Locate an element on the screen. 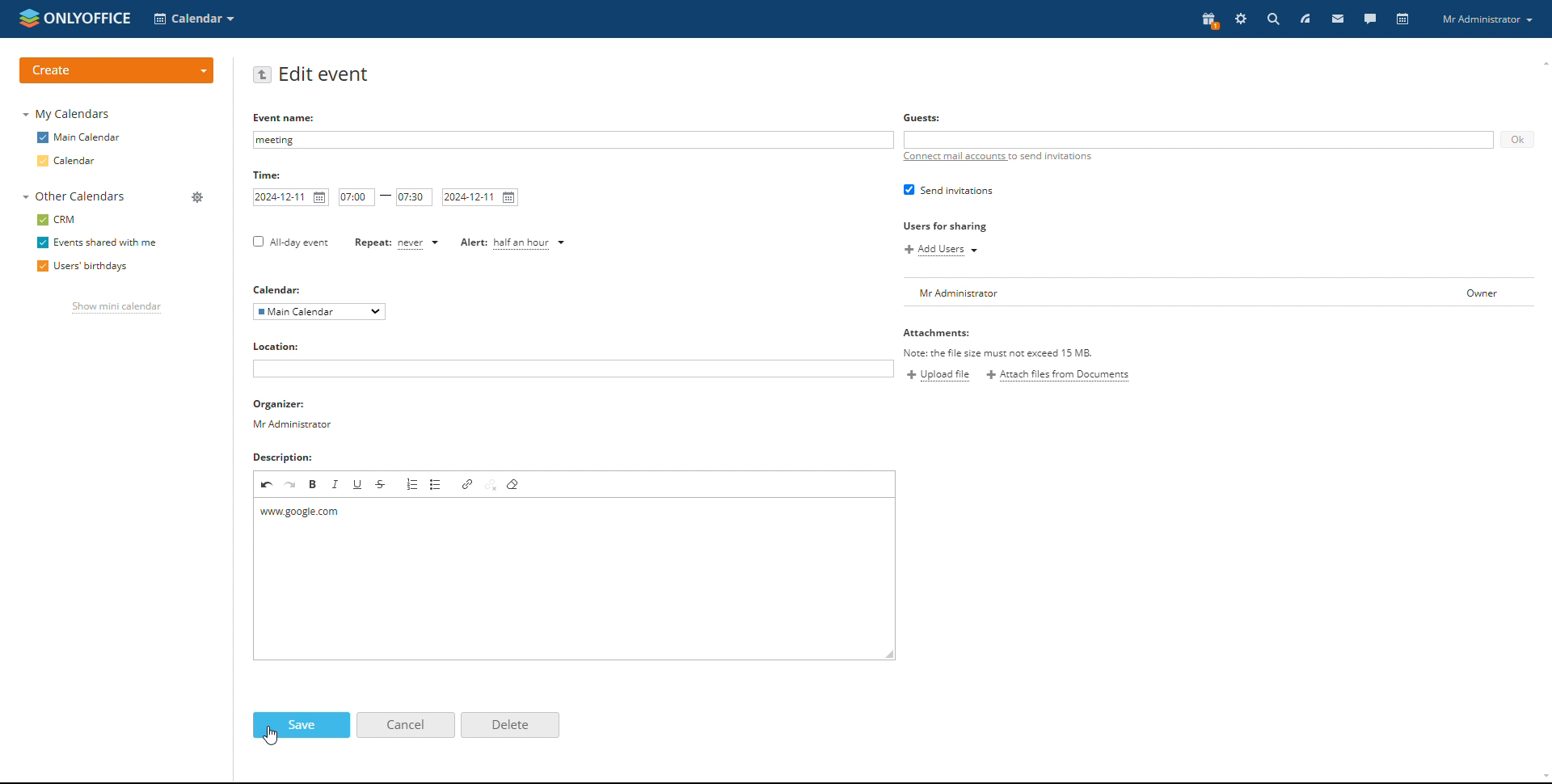  Calendar: is located at coordinates (277, 289).